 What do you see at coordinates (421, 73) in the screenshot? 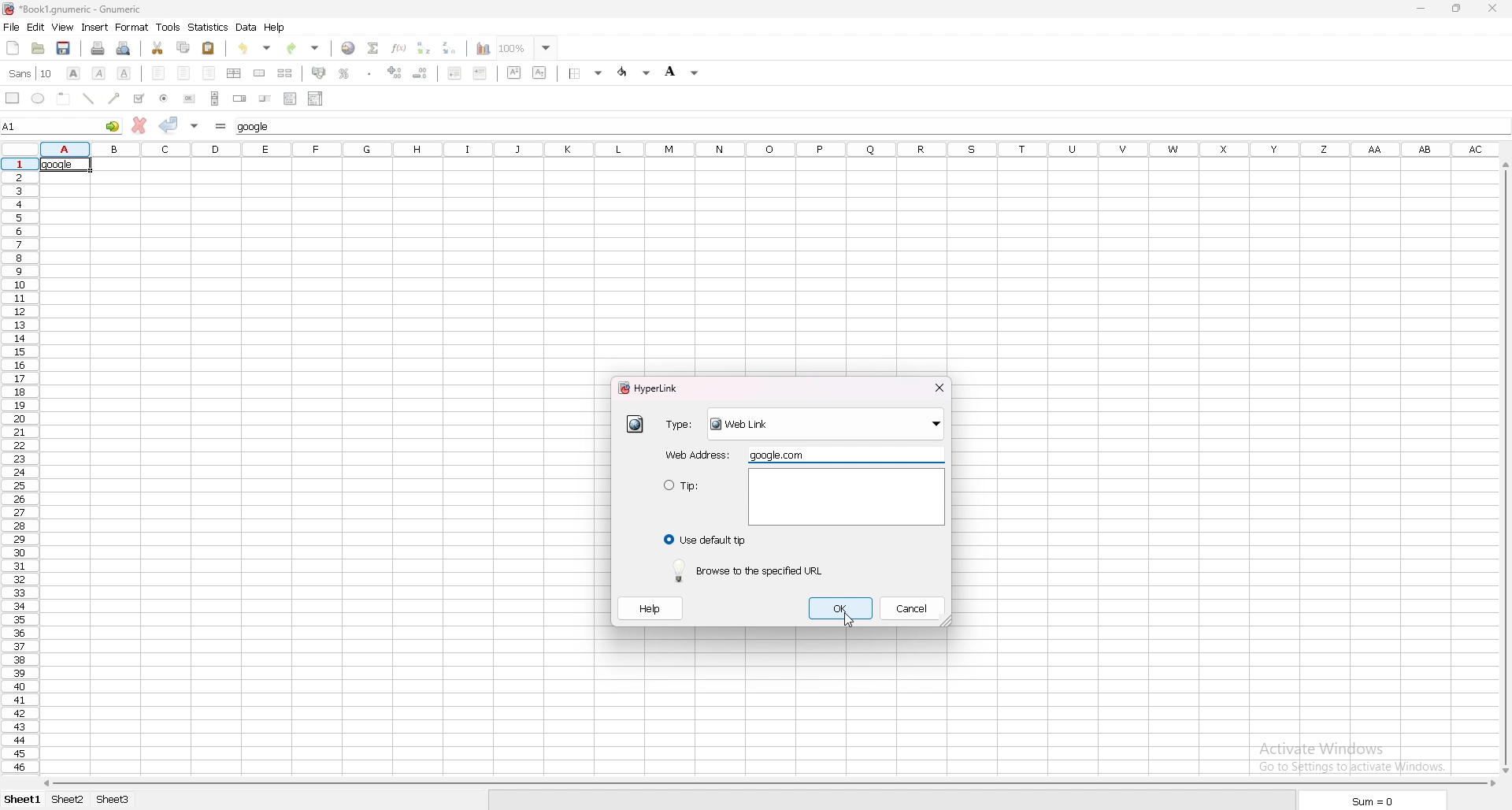
I see `decrease decimals` at bounding box center [421, 73].